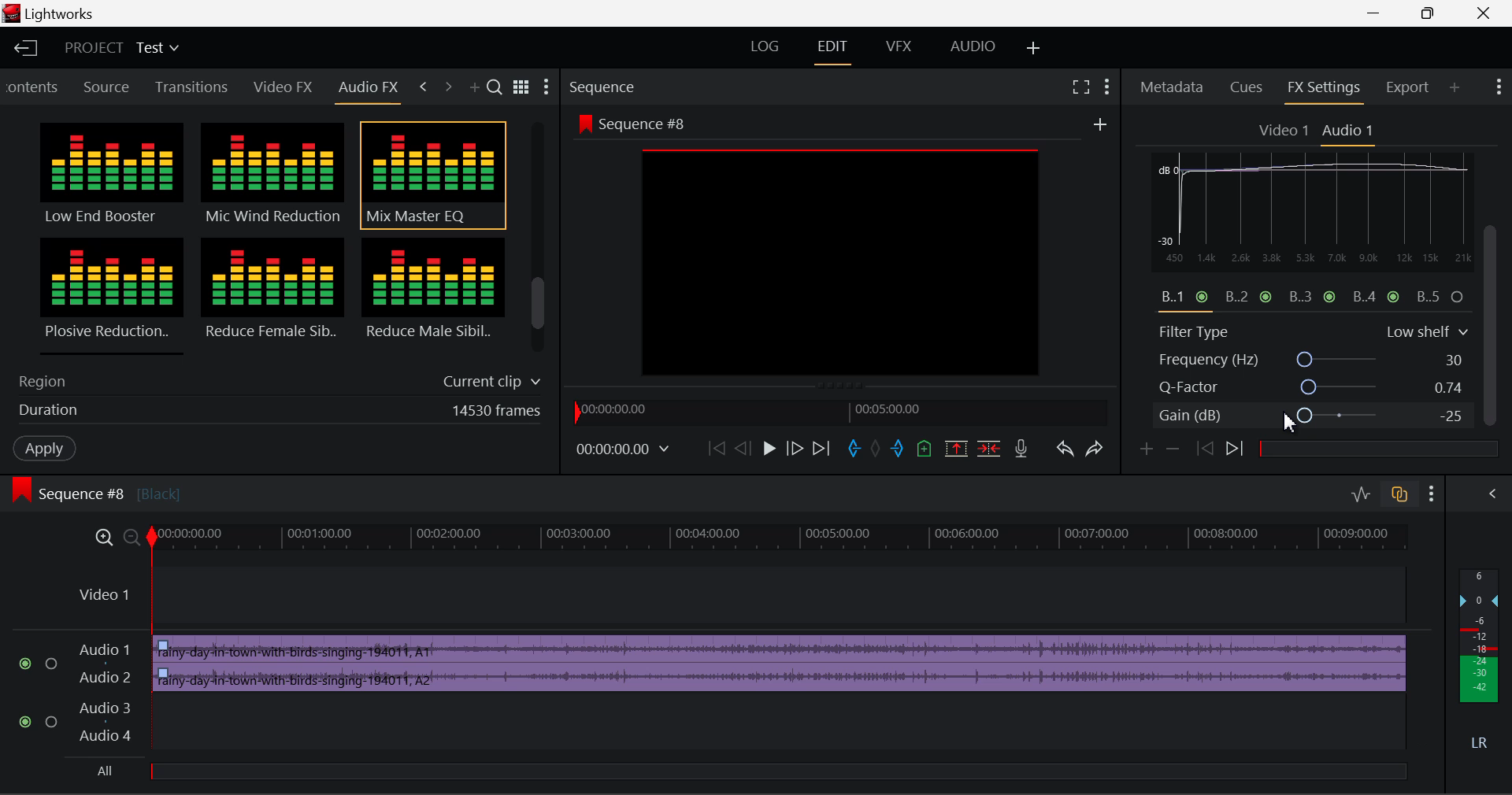  I want to click on Plosive Reduction, so click(109, 294).